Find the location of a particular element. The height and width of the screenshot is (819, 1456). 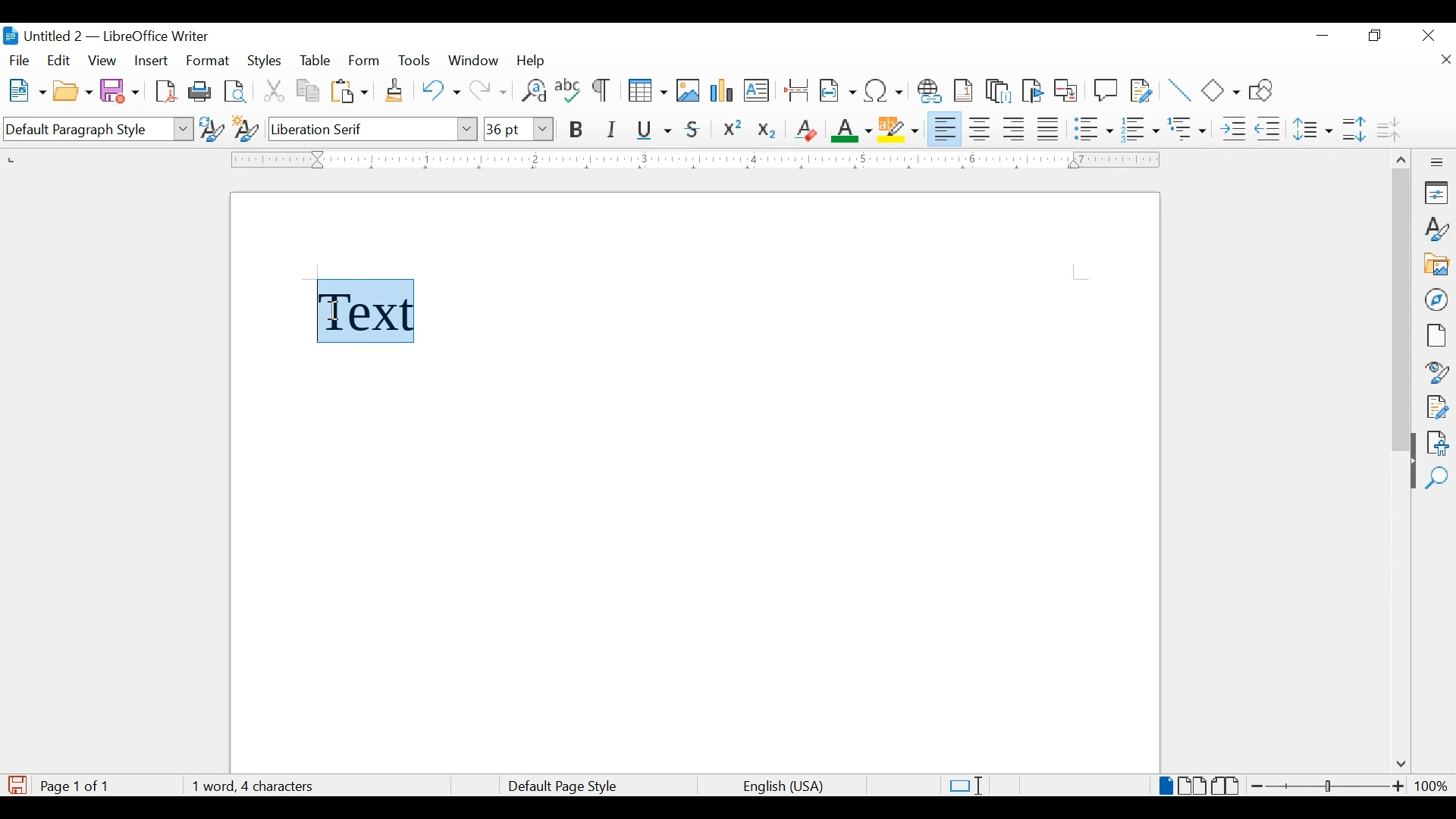

font name is located at coordinates (374, 128).